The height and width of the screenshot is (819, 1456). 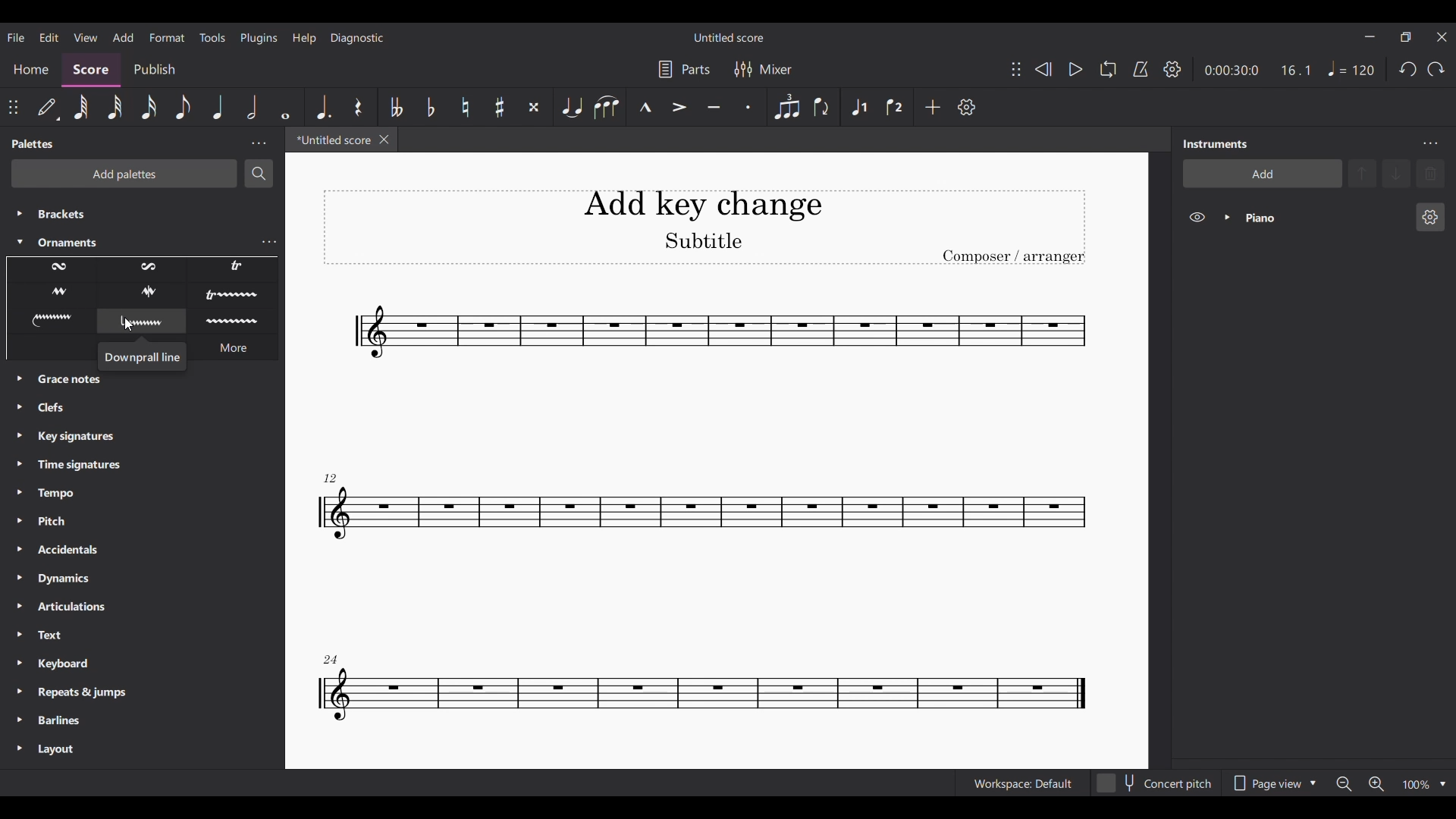 I want to click on Toggle for Concert pitch, so click(x=1156, y=783).